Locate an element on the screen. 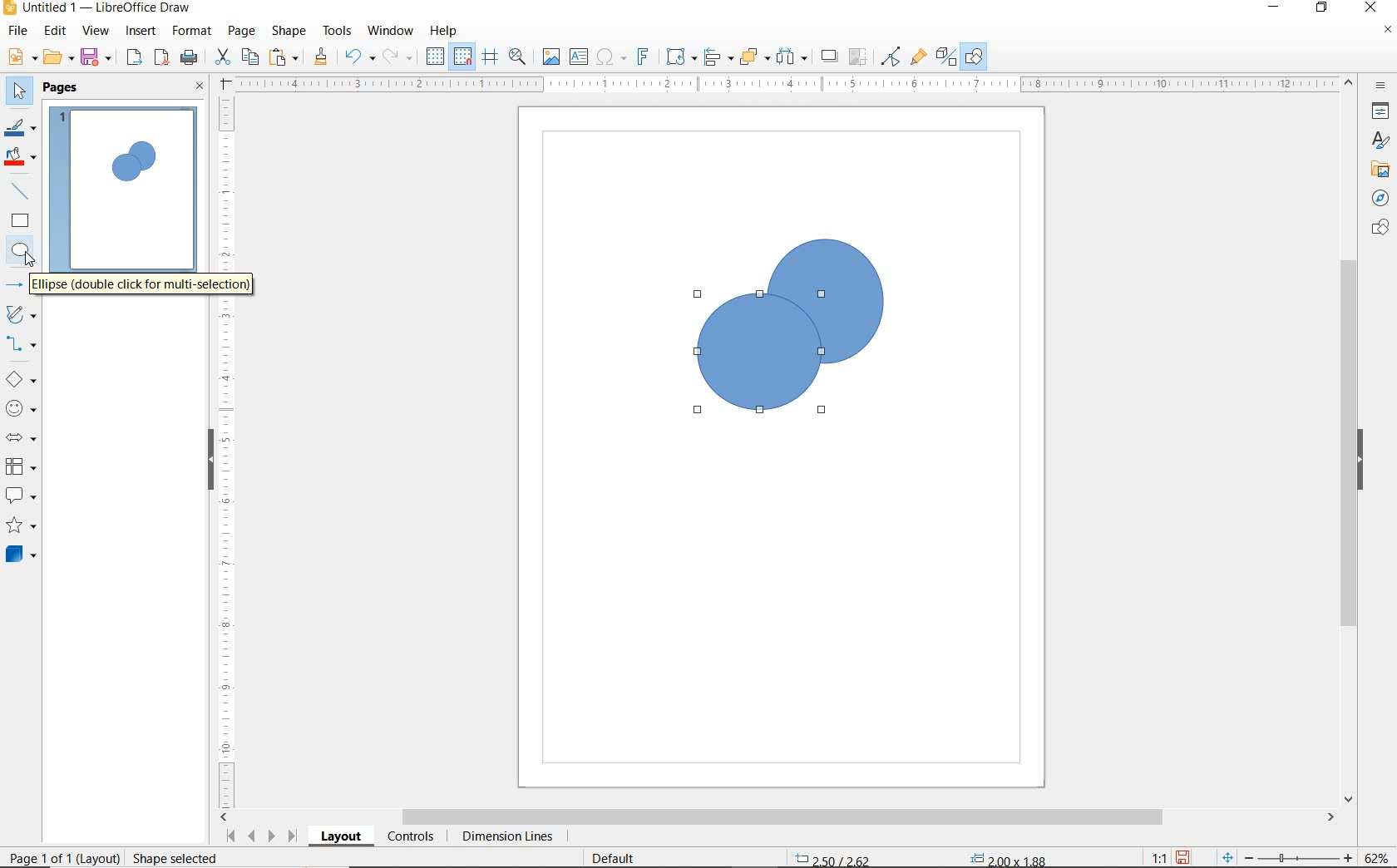 The height and width of the screenshot is (868, 1397). LAYOUT is located at coordinates (340, 839).